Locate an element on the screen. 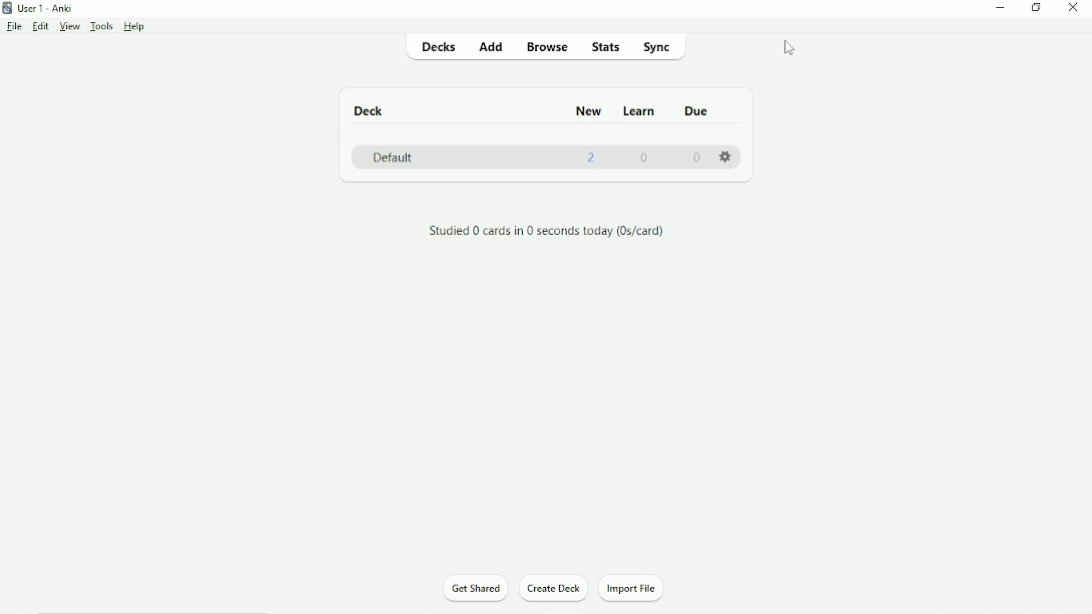 This screenshot has height=614, width=1092. Anki logo is located at coordinates (8, 8).